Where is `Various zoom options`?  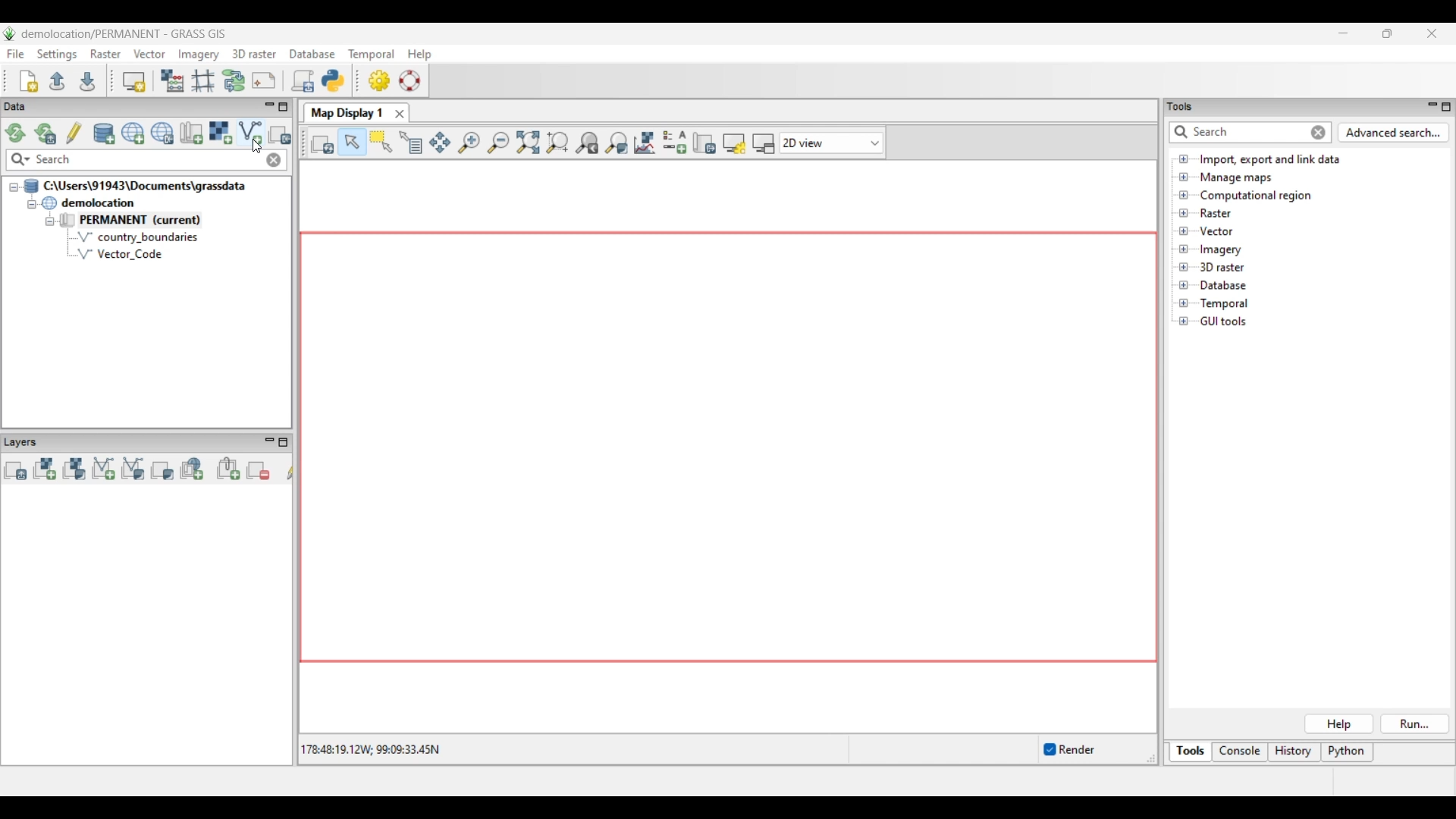
Various zoom options is located at coordinates (616, 143).